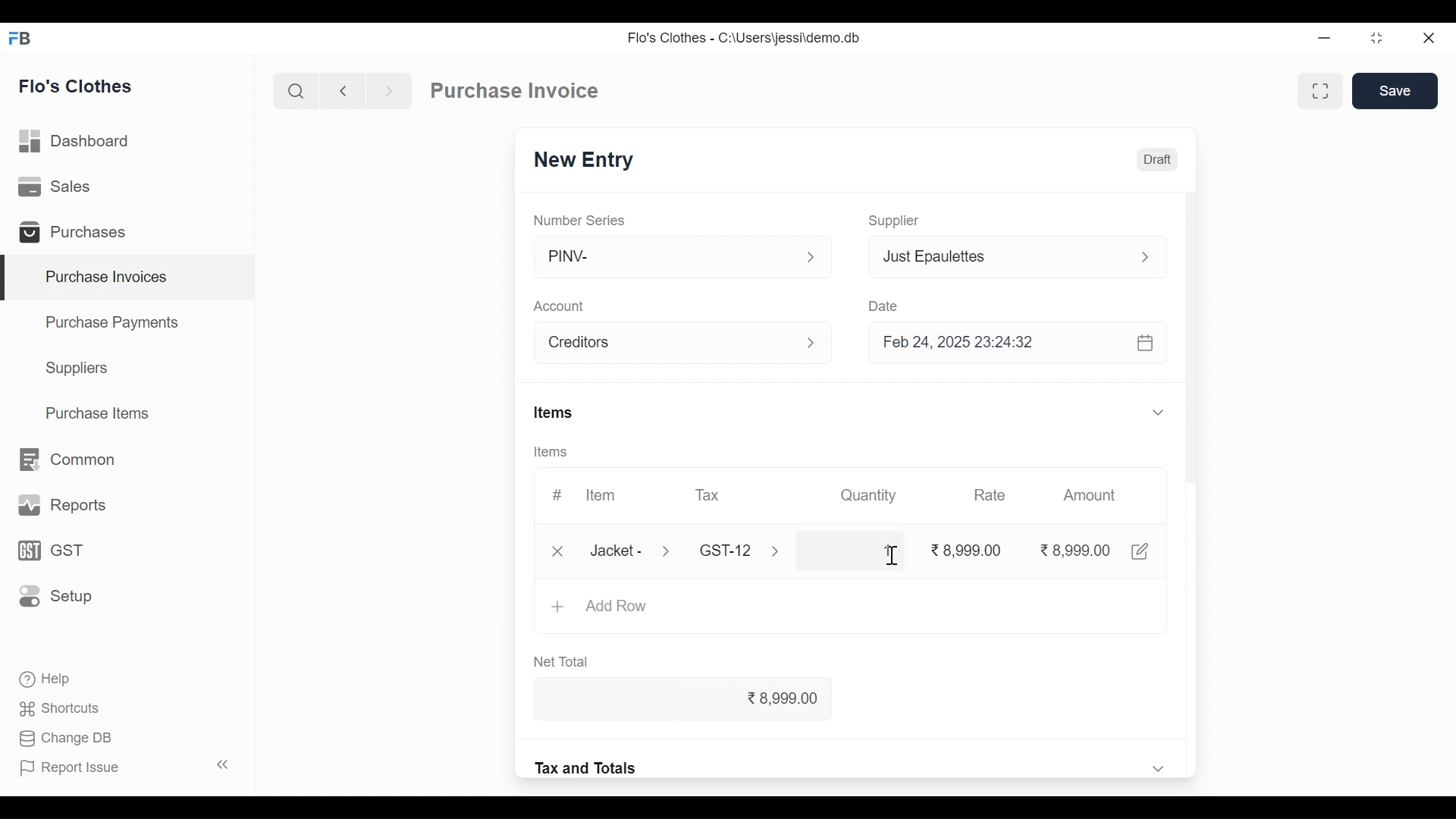 This screenshot has width=1456, height=819. Describe the element at coordinates (560, 306) in the screenshot. I see `Account` at that location.